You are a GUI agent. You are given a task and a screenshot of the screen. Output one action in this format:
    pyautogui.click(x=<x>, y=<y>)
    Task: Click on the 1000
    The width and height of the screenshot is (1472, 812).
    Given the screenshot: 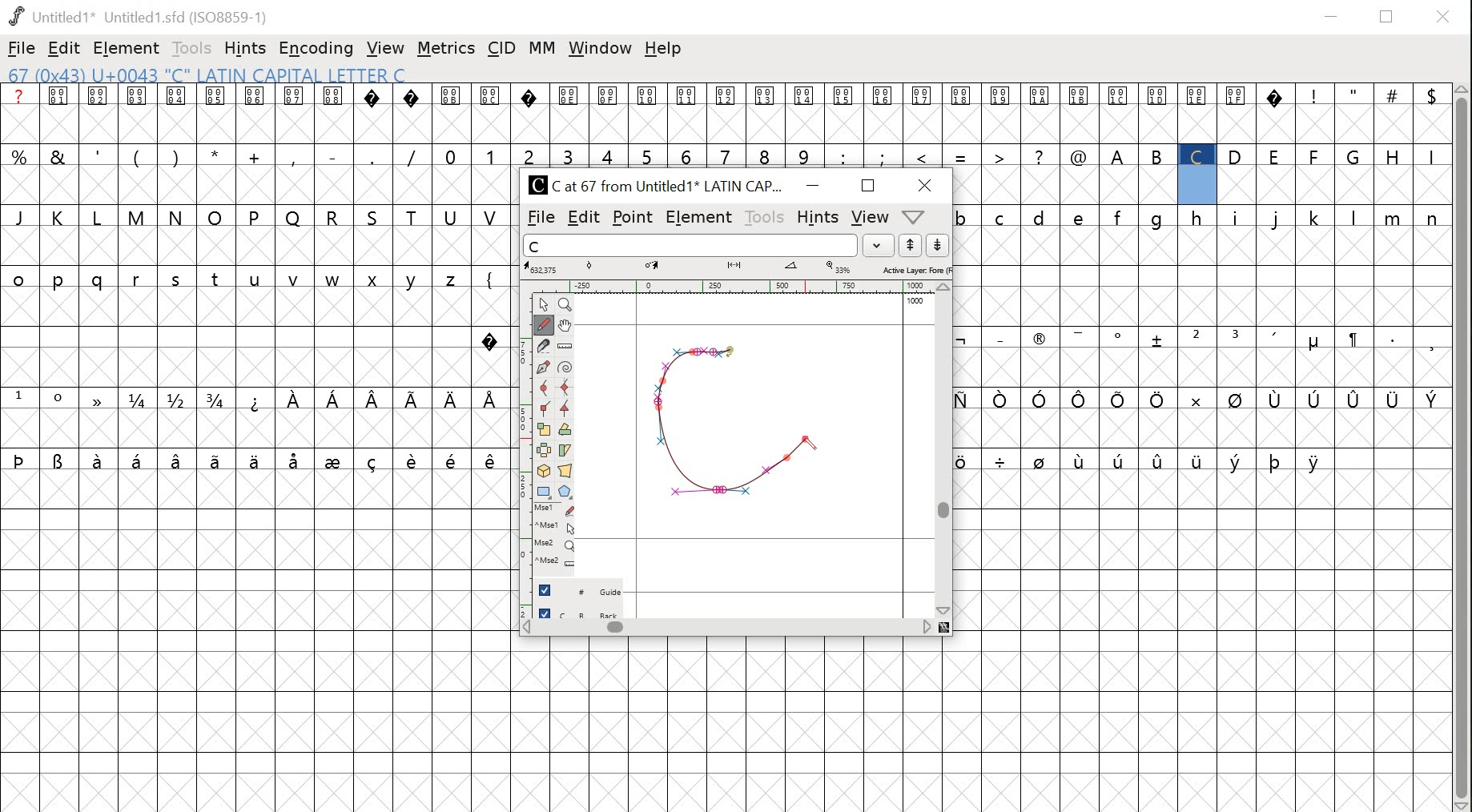 What is the action you would take?
    pyautogui.click(x=915, y=301)
    